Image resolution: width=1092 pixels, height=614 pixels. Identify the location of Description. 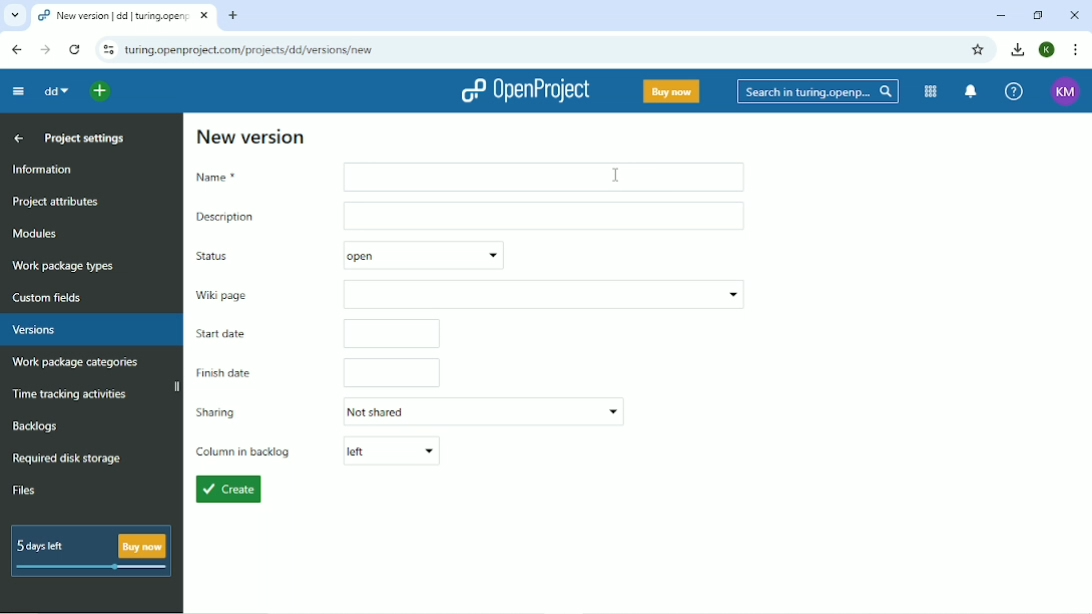
(467, 216).